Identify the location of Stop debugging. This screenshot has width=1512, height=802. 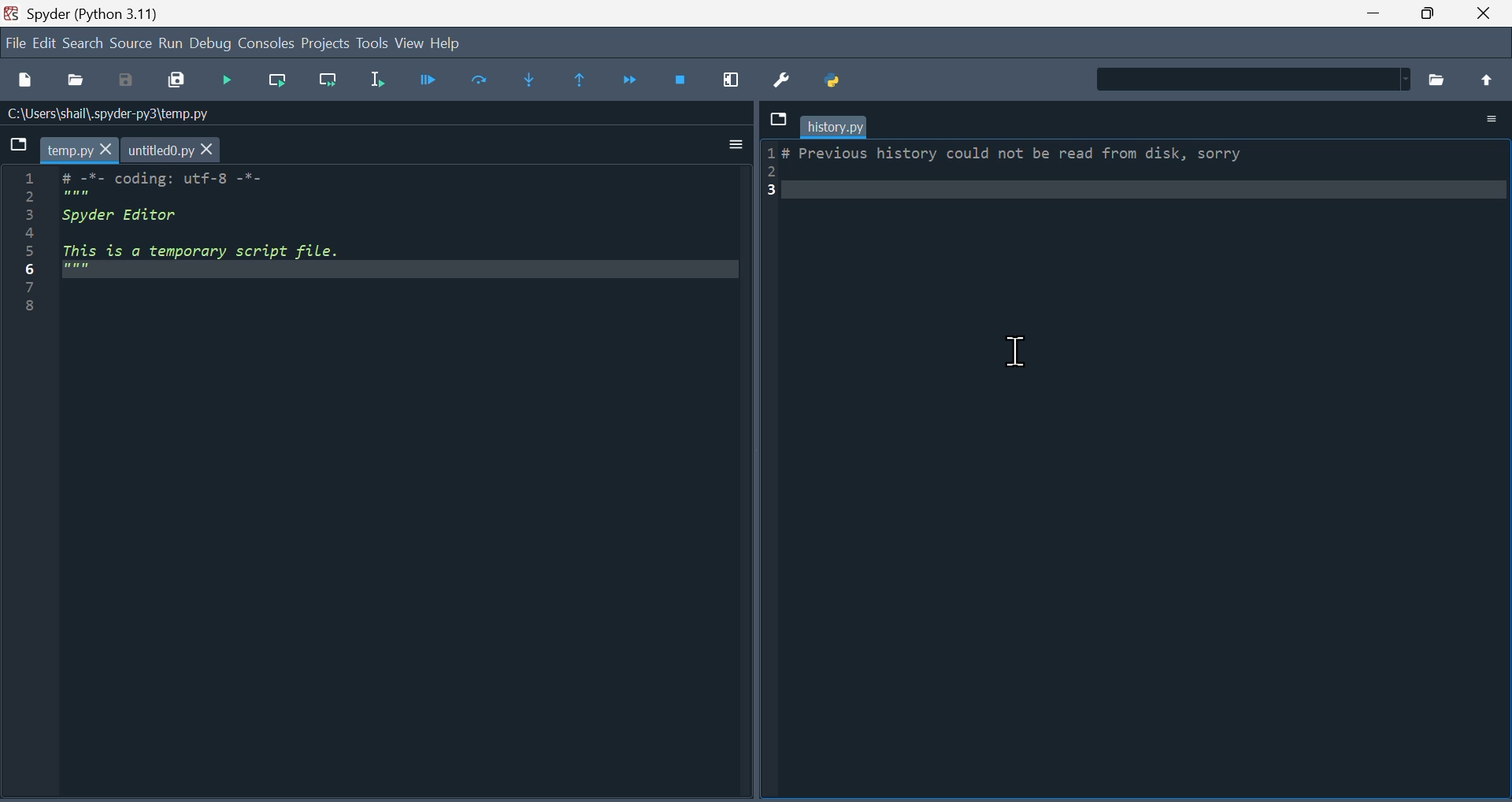
(686, 76).